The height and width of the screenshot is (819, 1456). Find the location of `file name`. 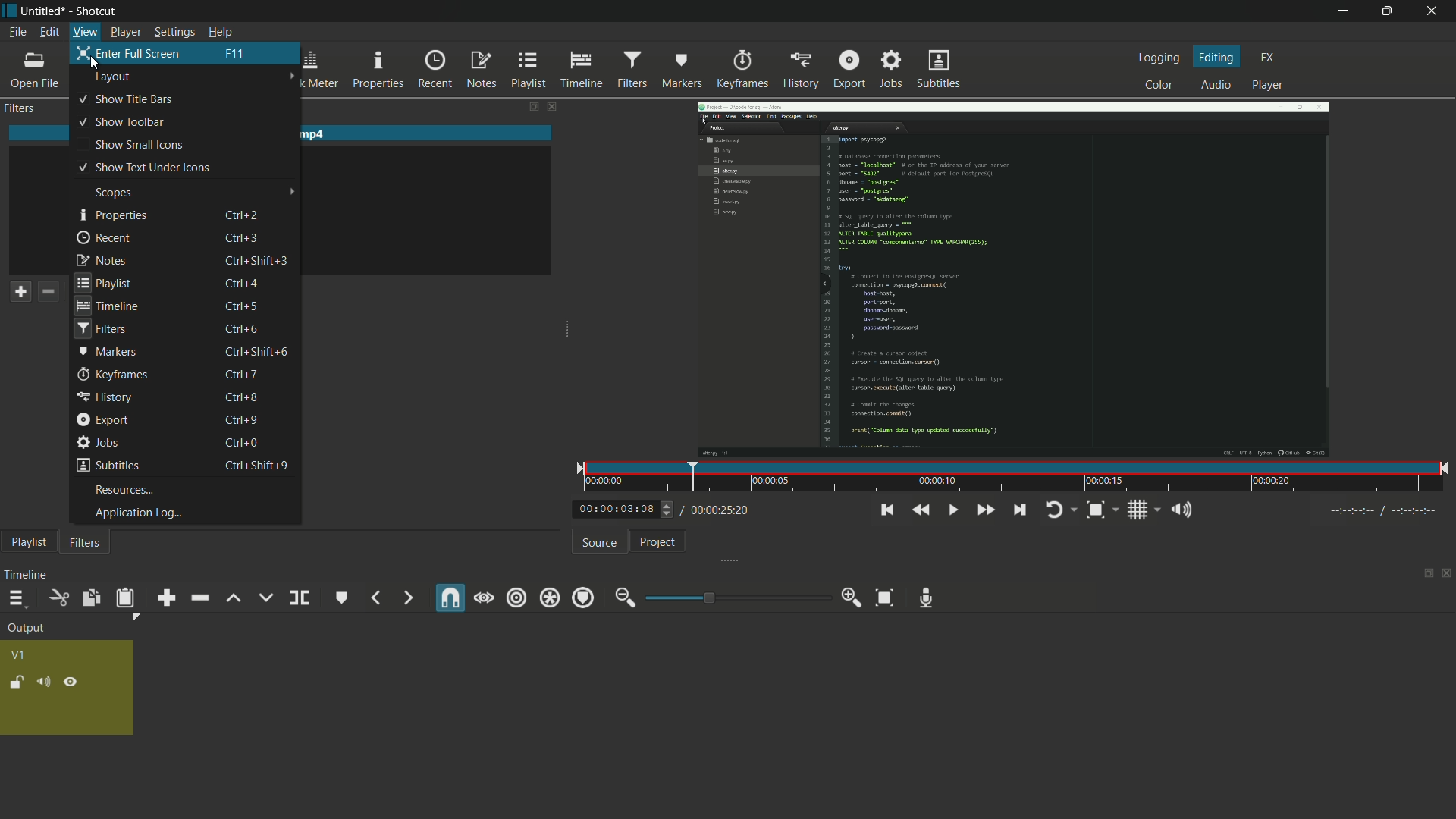

file name is located at coordinates (284, 134).